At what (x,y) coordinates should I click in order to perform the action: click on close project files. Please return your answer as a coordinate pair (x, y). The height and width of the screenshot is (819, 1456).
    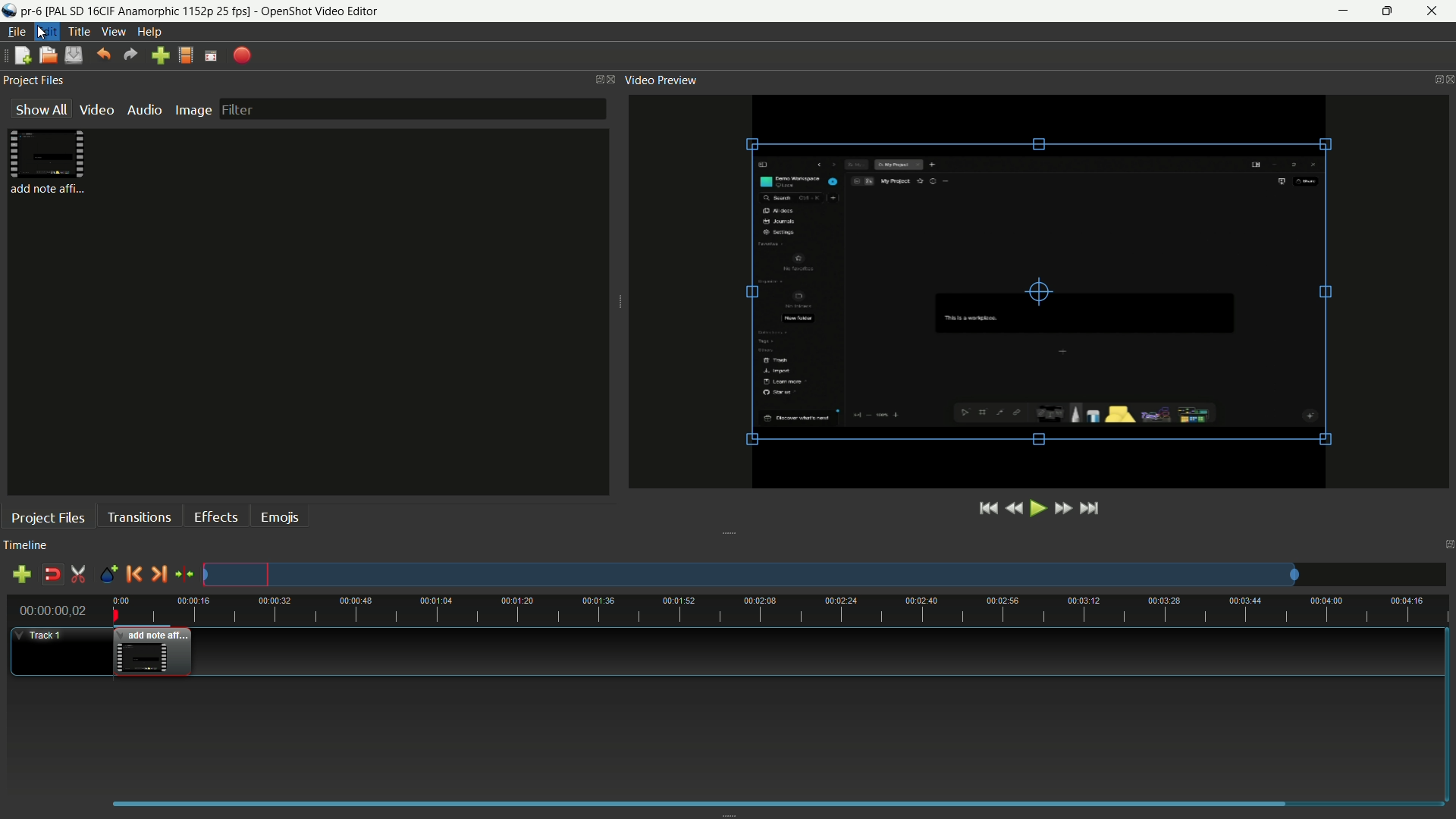
    Looking at the image, I should click on (613, 80).